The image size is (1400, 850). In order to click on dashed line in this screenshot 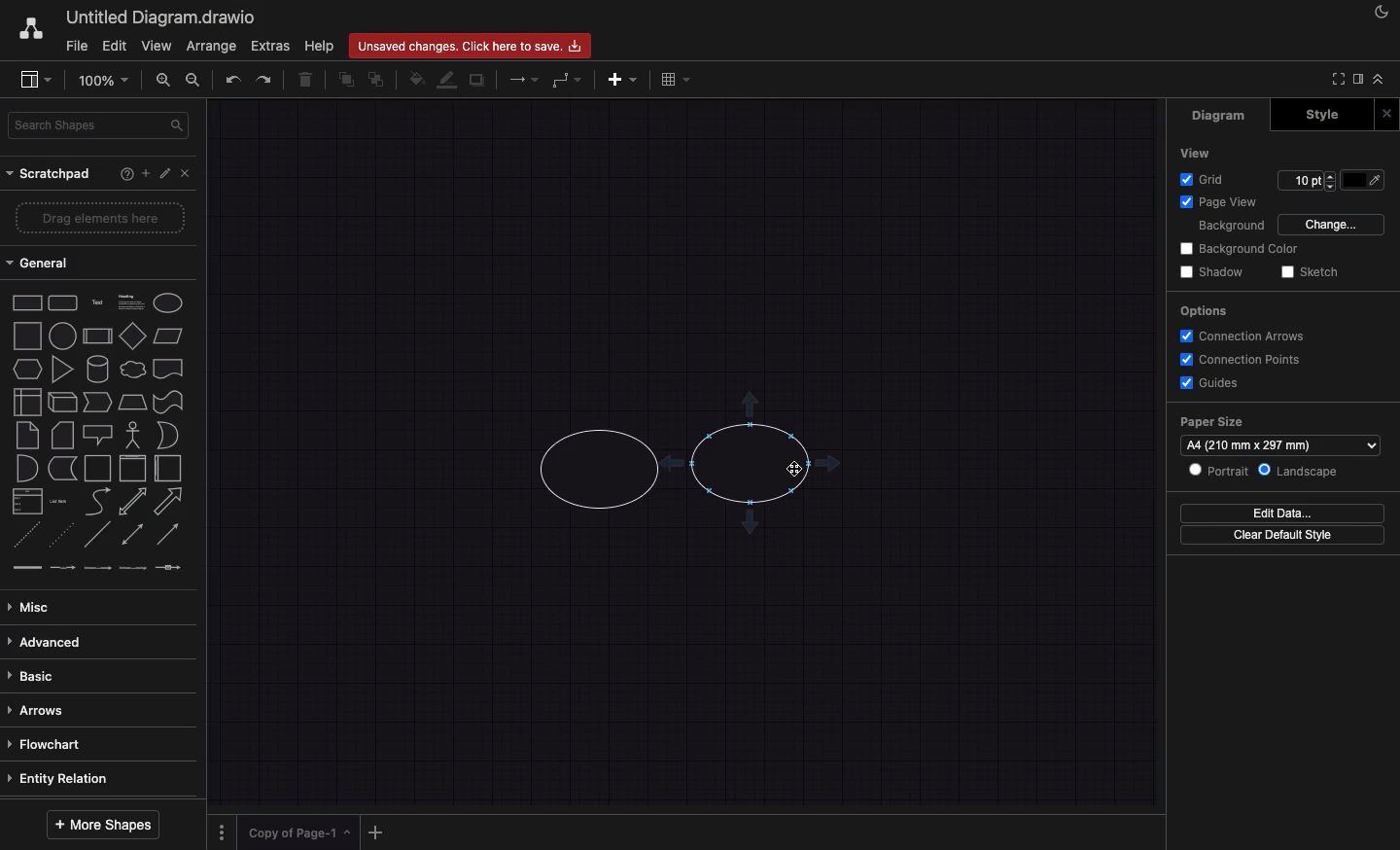, I will do `click(22, 533)`.